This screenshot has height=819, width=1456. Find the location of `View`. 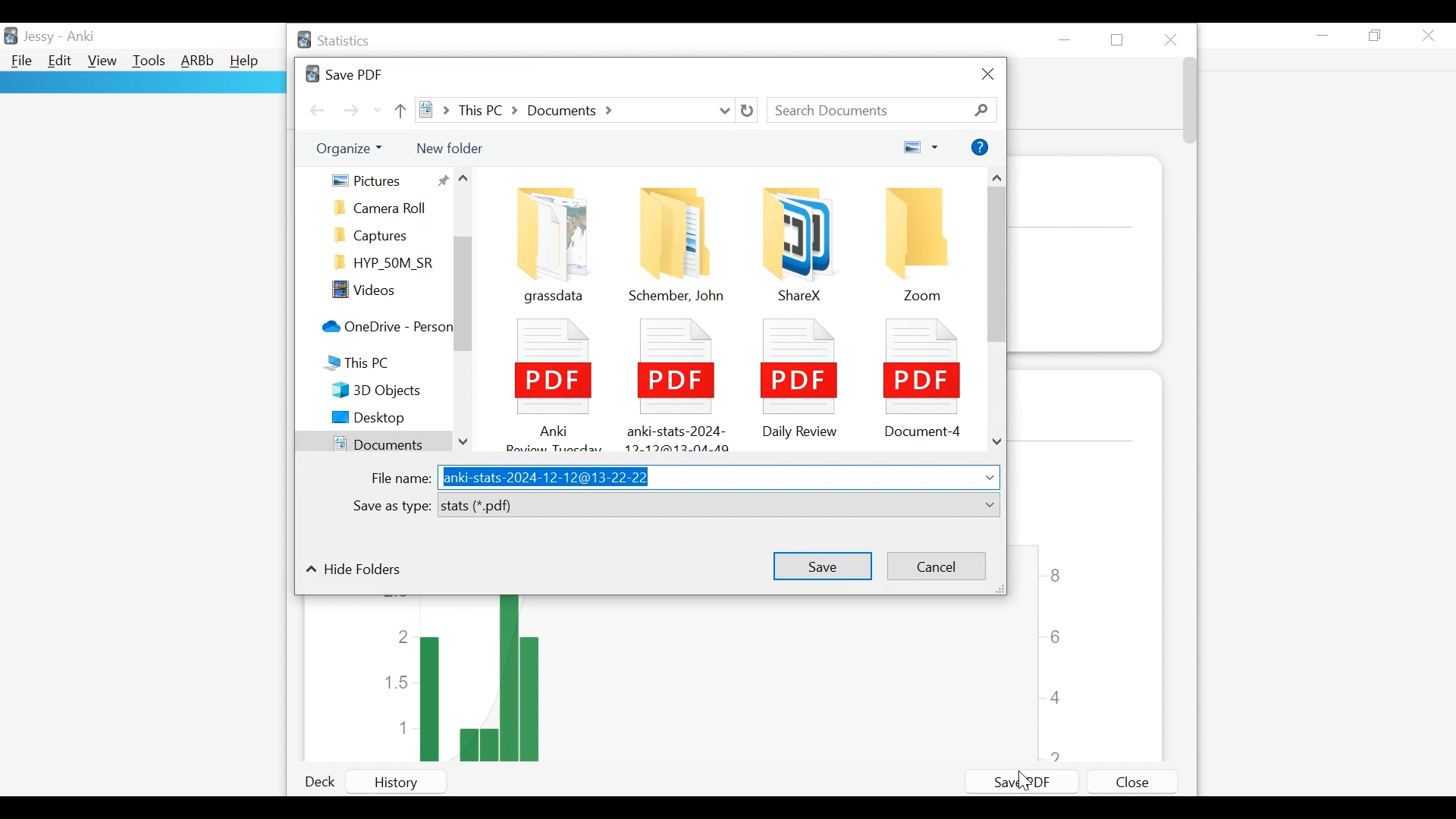

View is located at coordinates (102, 61).